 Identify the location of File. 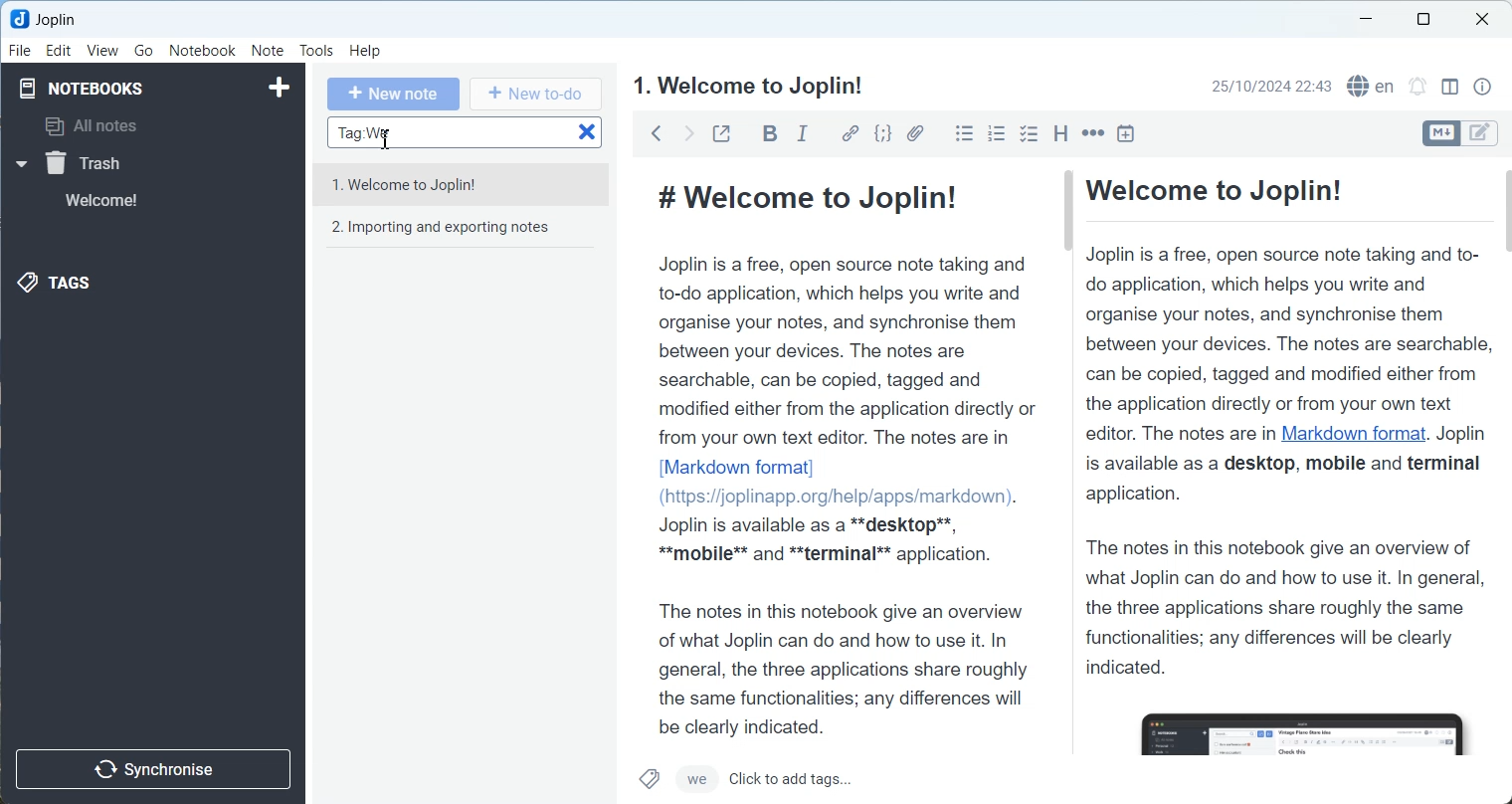
(21, 51).